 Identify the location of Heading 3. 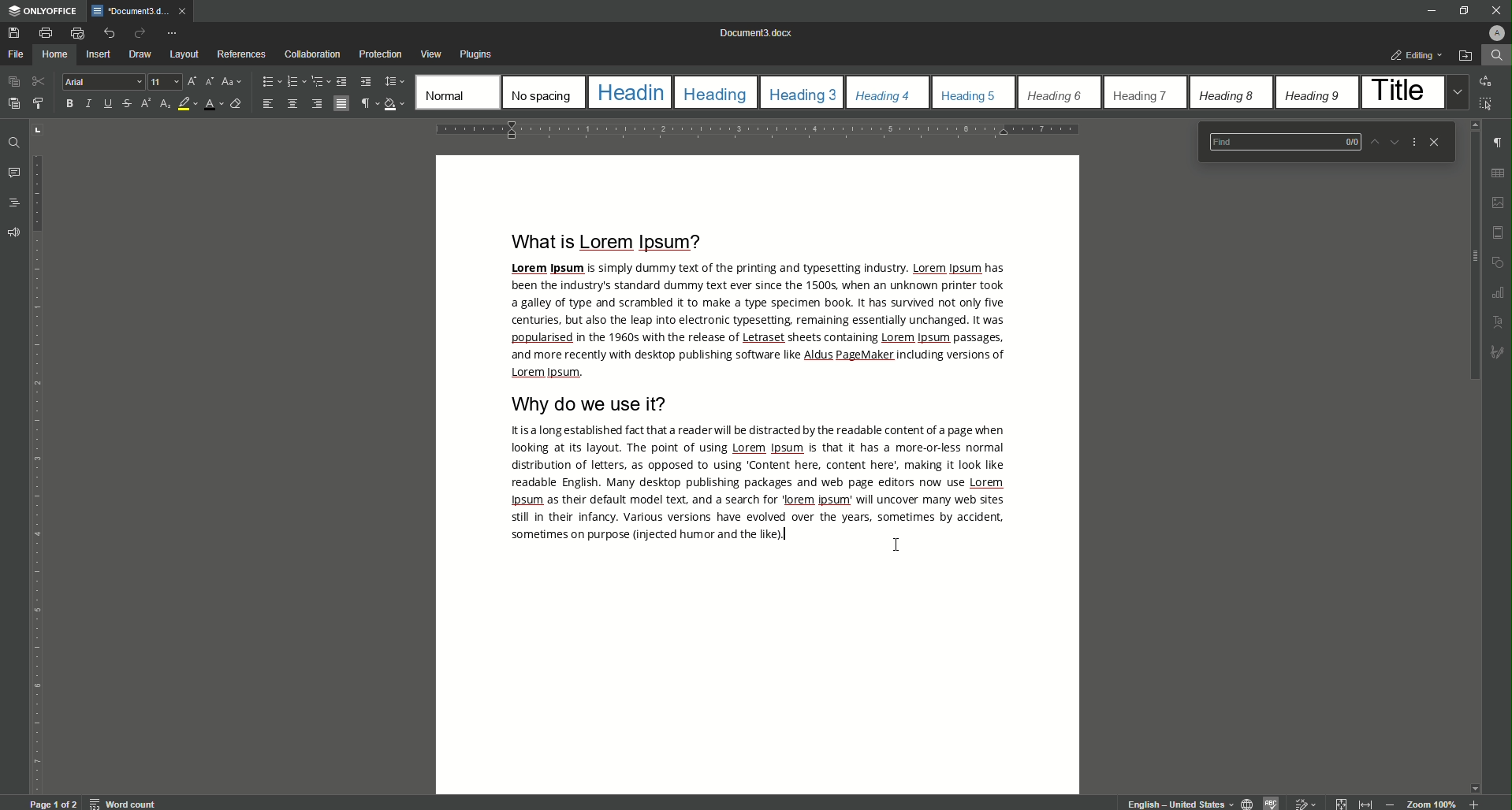
(806, 93).